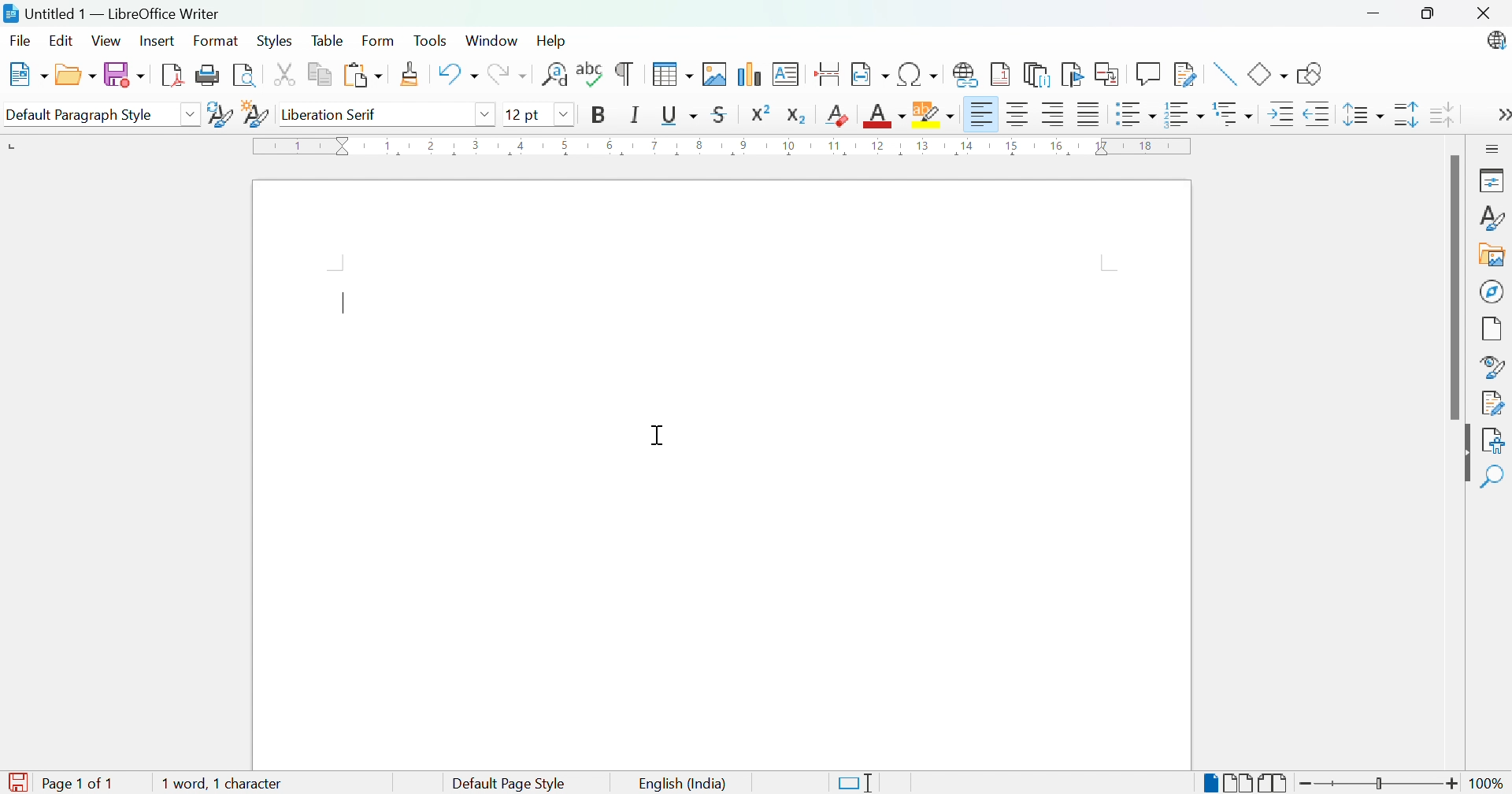 This screenshot has width=1512, height=794. I want to click on Decrease indent, so click(1318, 115).